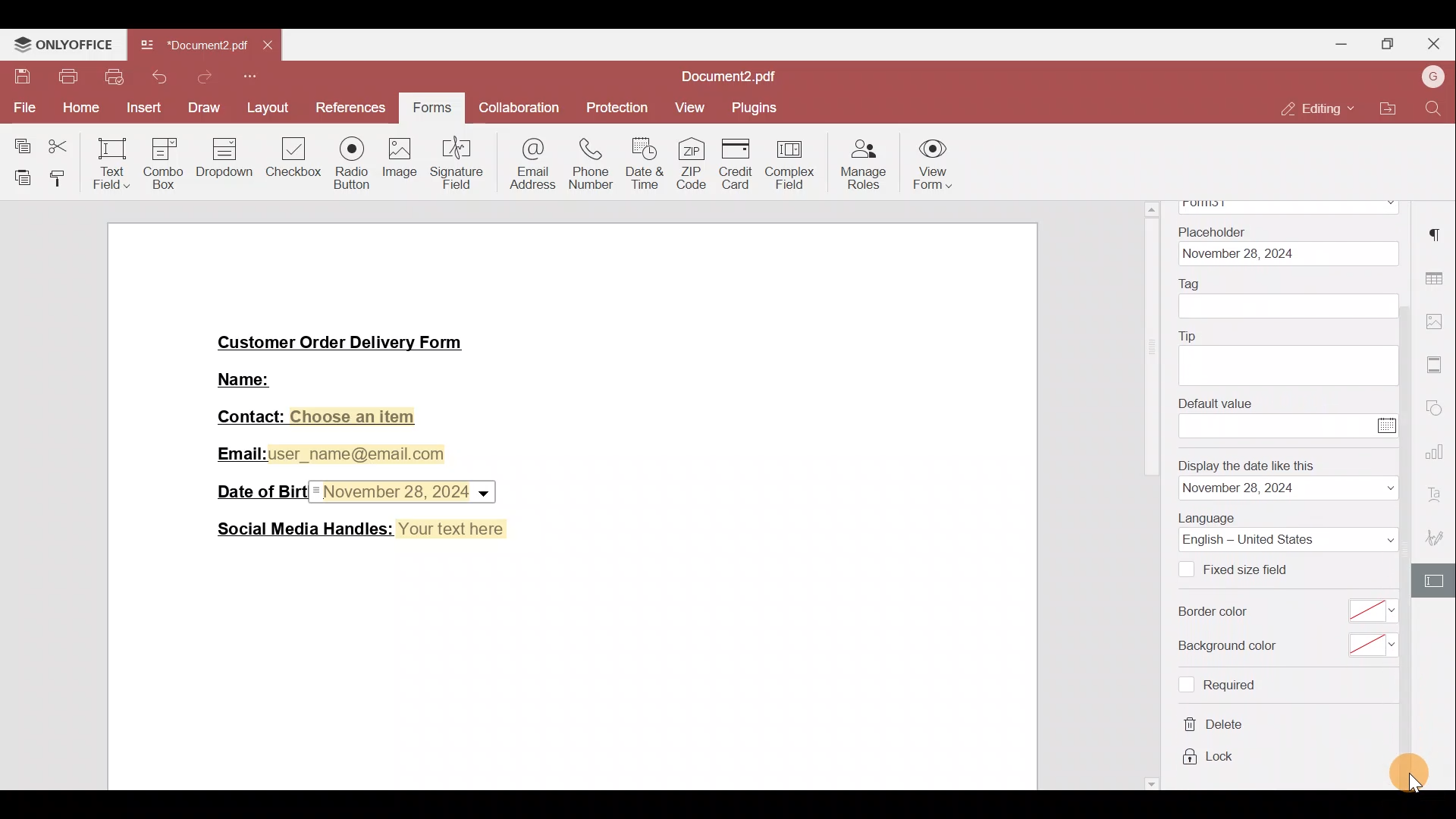 The height and width of the screenshot is (819, 1456). What do you see at coordinates (1432, 76) in the screenshot?
I see `Account name` at bounding box center [1432, 76].